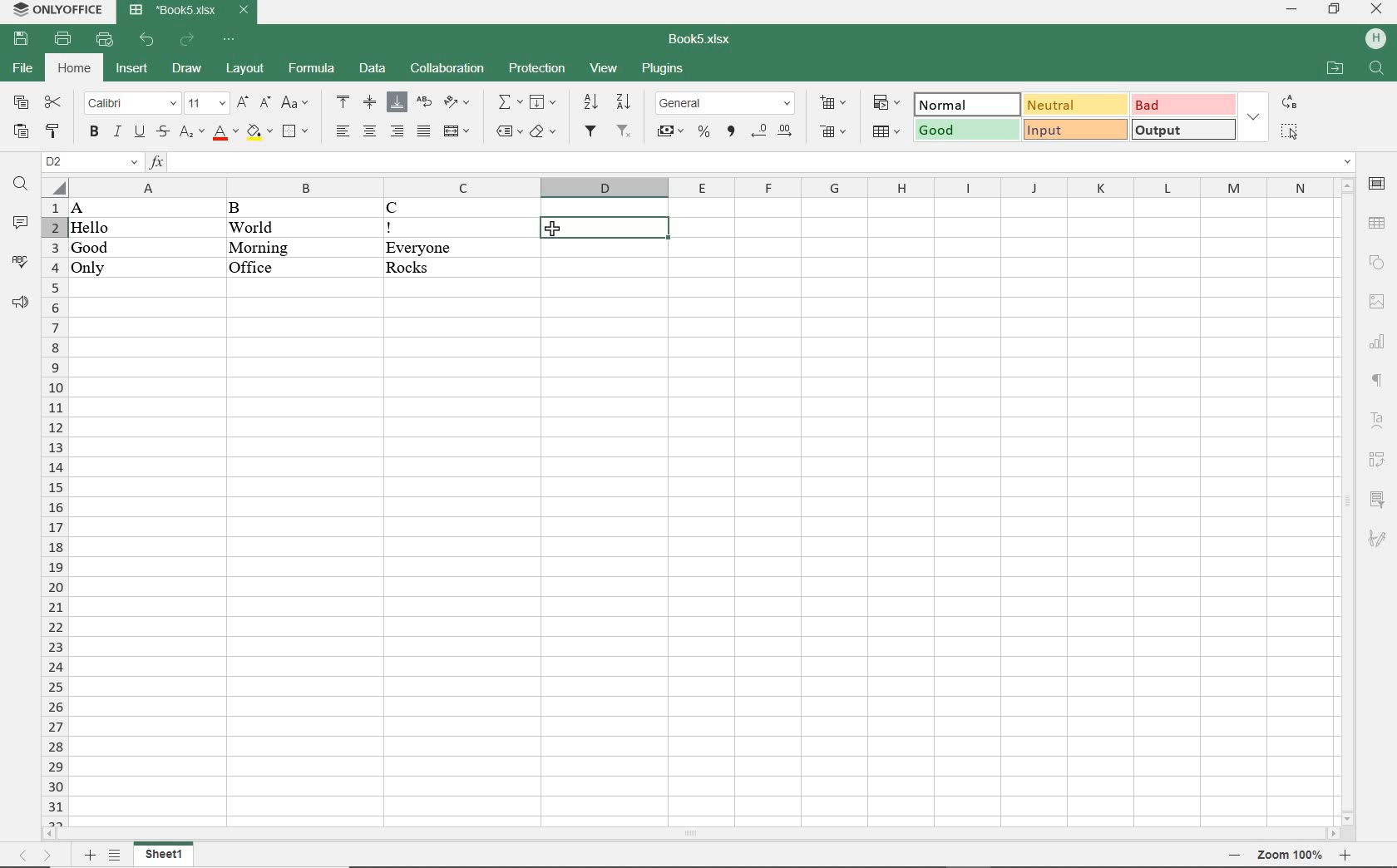  I want to click on cut, so click(55, 102).